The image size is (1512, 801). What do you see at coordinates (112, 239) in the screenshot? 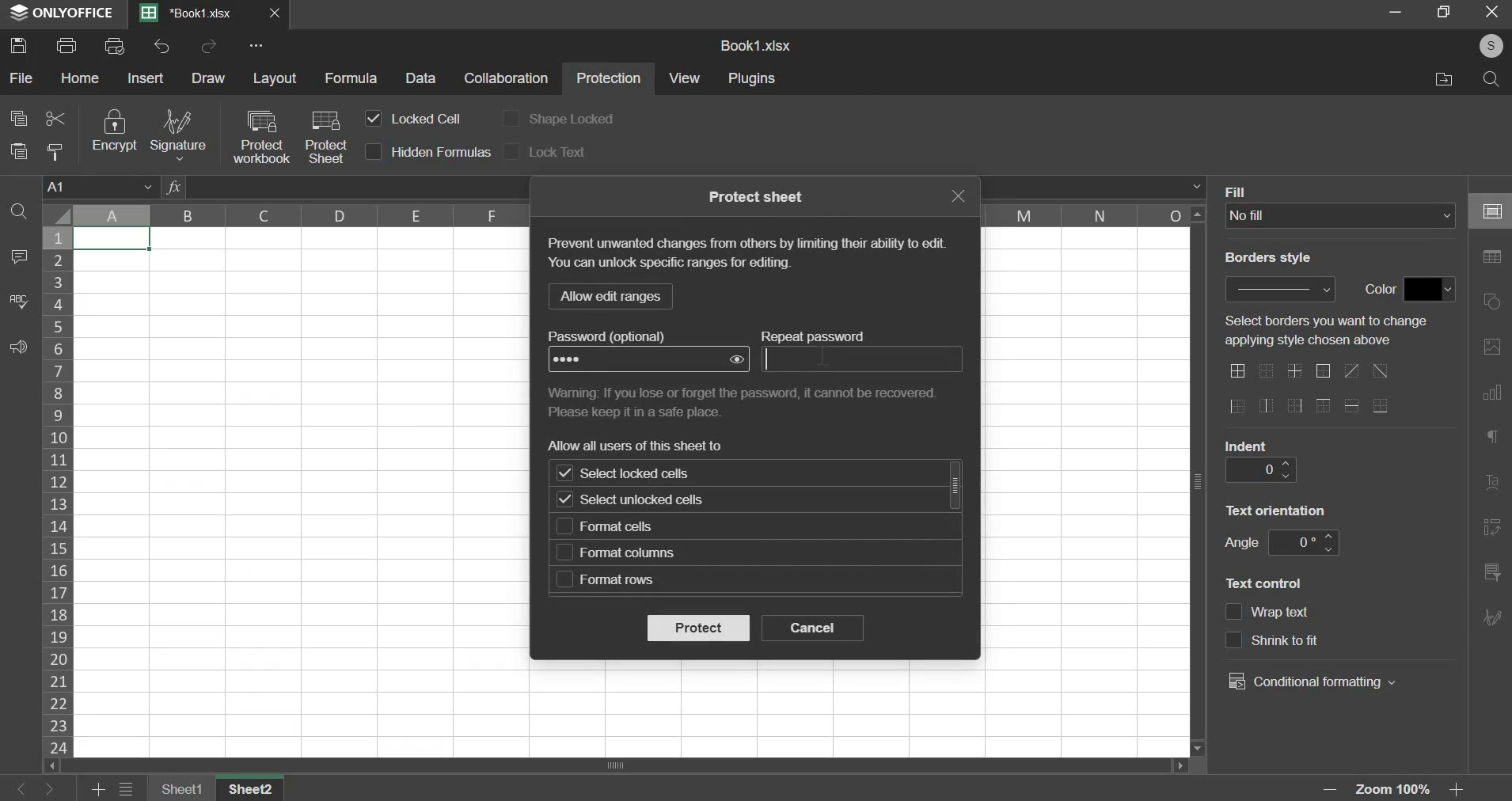
I see `selected cell` at bounding box center [112, 239].